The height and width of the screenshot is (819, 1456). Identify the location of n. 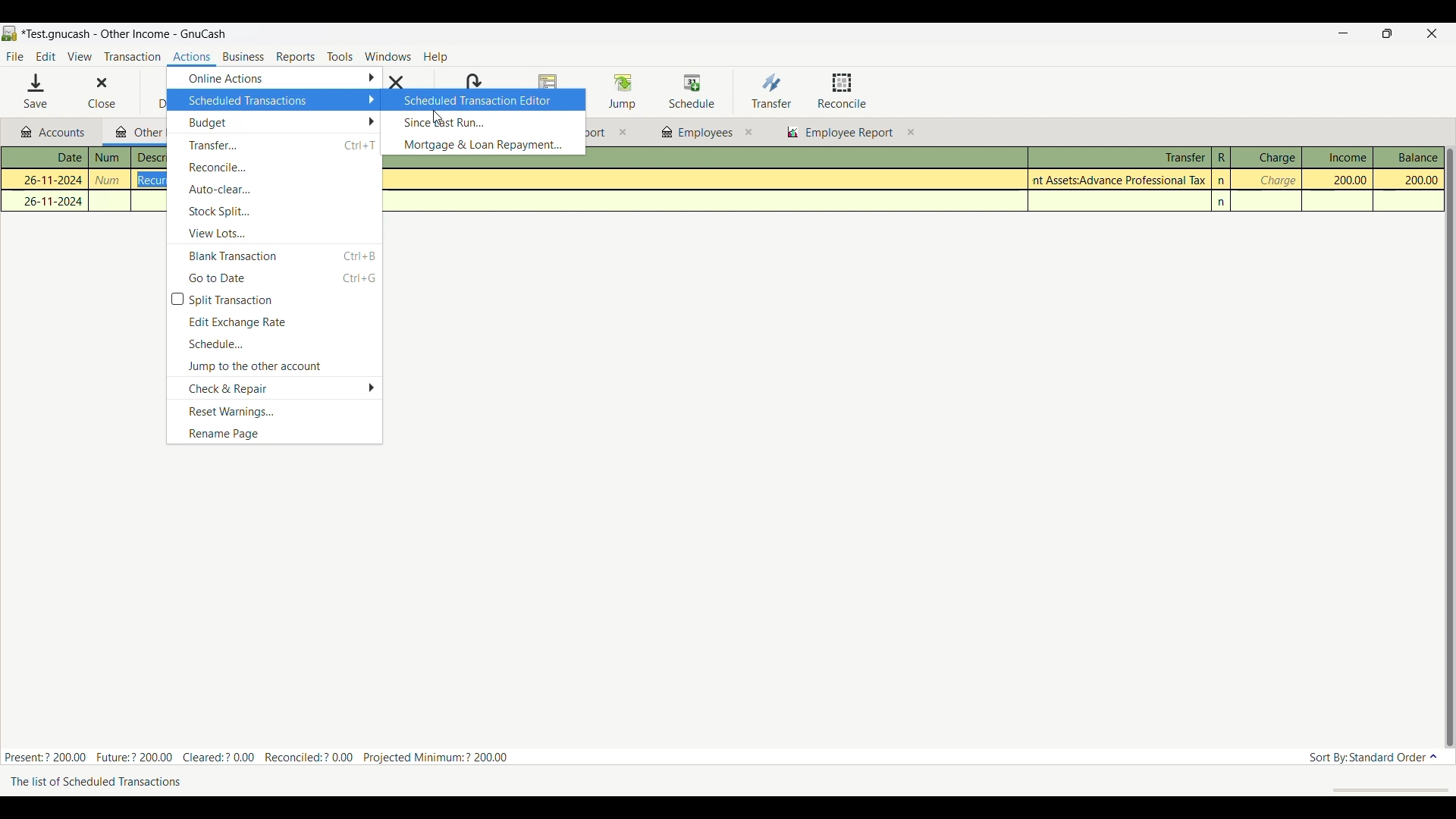
(1222, 180).